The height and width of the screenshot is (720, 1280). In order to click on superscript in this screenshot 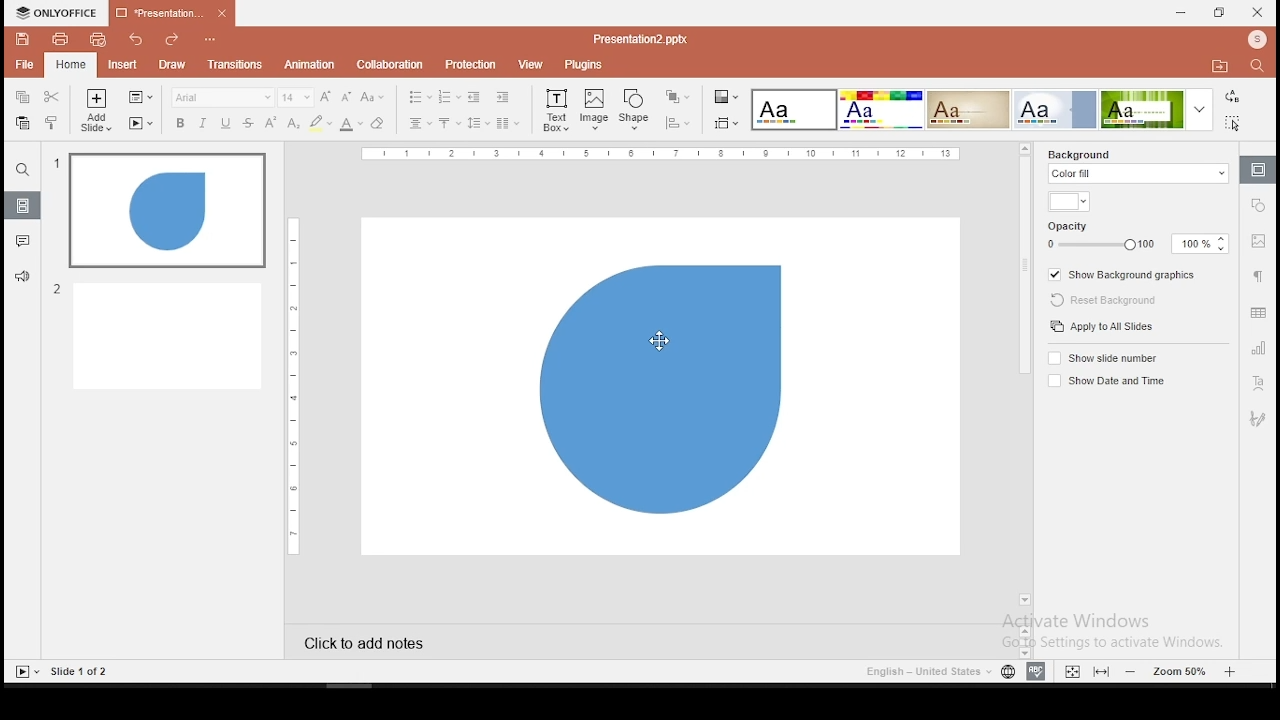, I will do `click(272, 122)`.